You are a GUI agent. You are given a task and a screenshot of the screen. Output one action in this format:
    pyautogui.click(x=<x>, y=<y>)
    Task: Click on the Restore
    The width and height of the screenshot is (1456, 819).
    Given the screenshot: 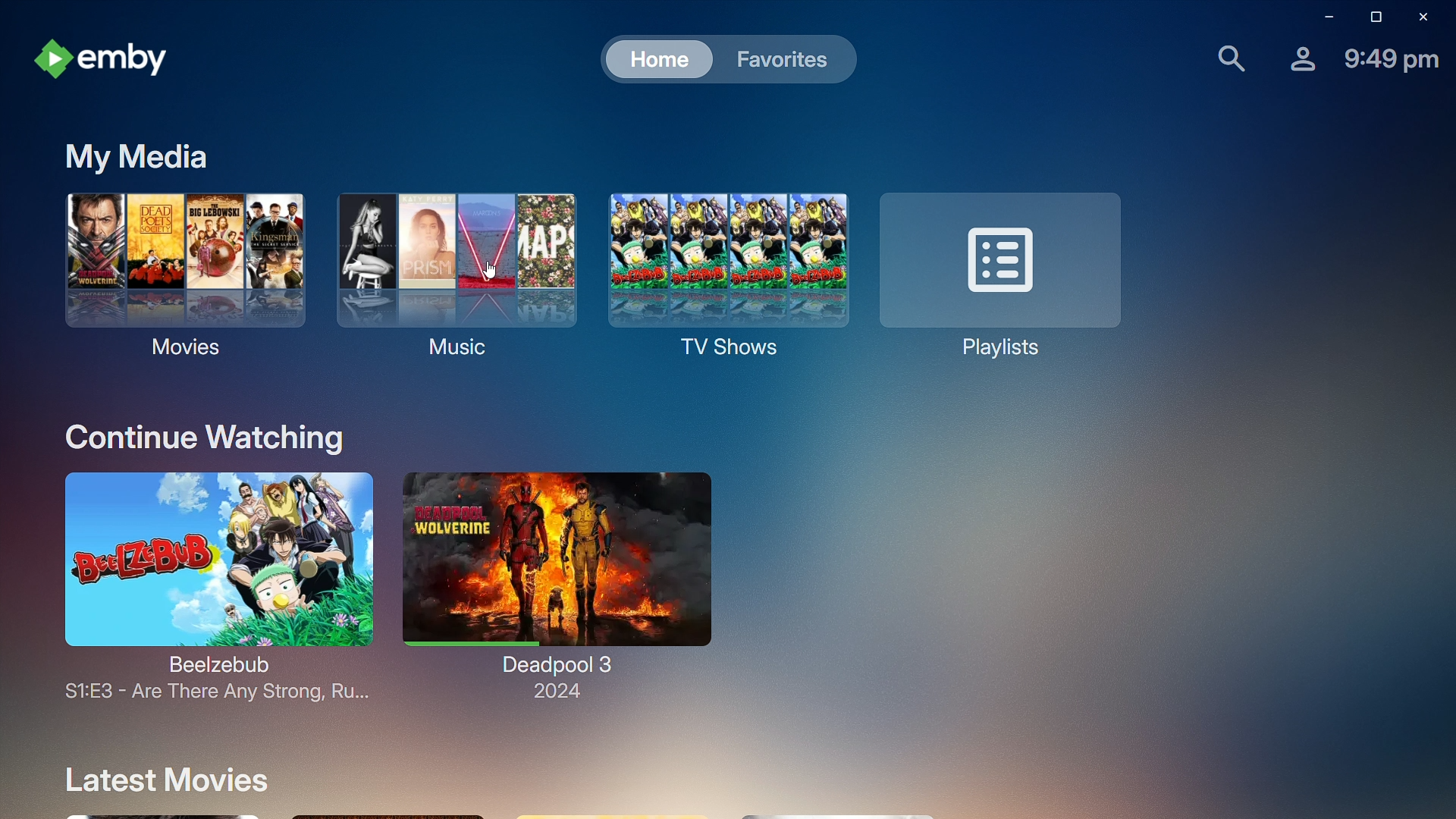 What is the action you would take?
    pyautogui.click(x=1371, y=17)
    